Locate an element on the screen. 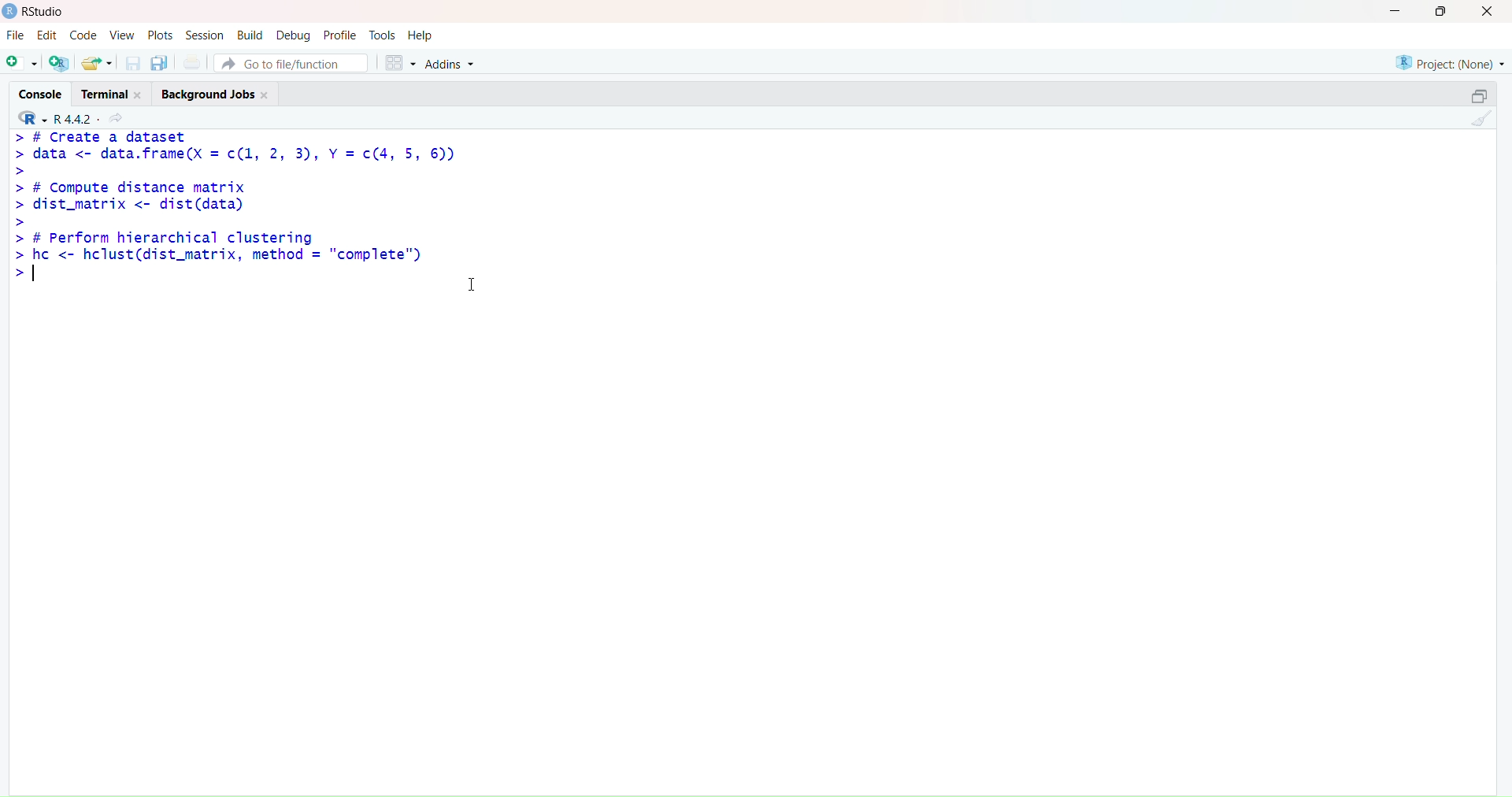  Save all open documents (Ctrl + Alt + S) is located at coordinates (196, 60).